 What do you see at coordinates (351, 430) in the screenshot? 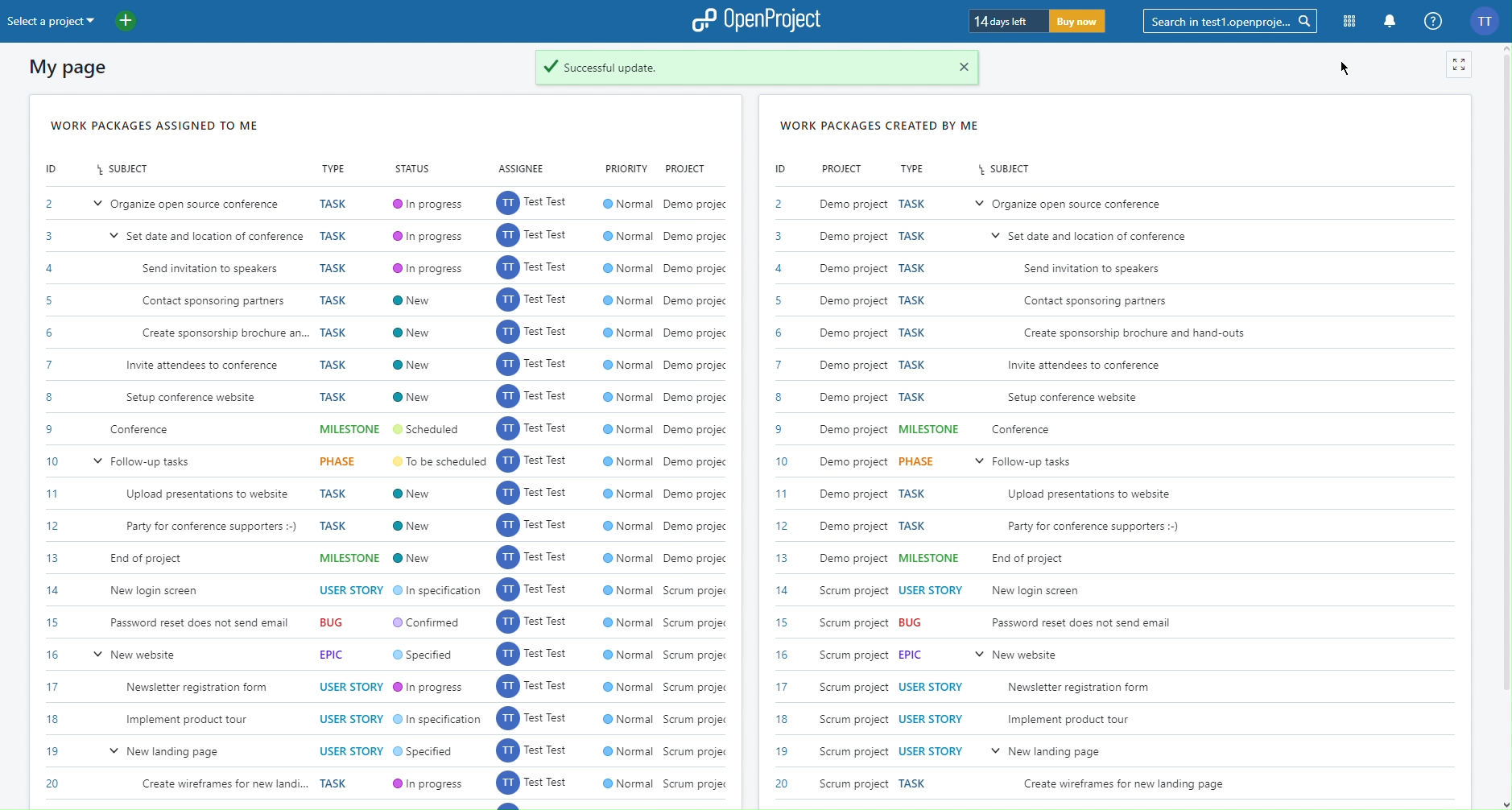
I see `Milestone` at bounding box center [351, 430].